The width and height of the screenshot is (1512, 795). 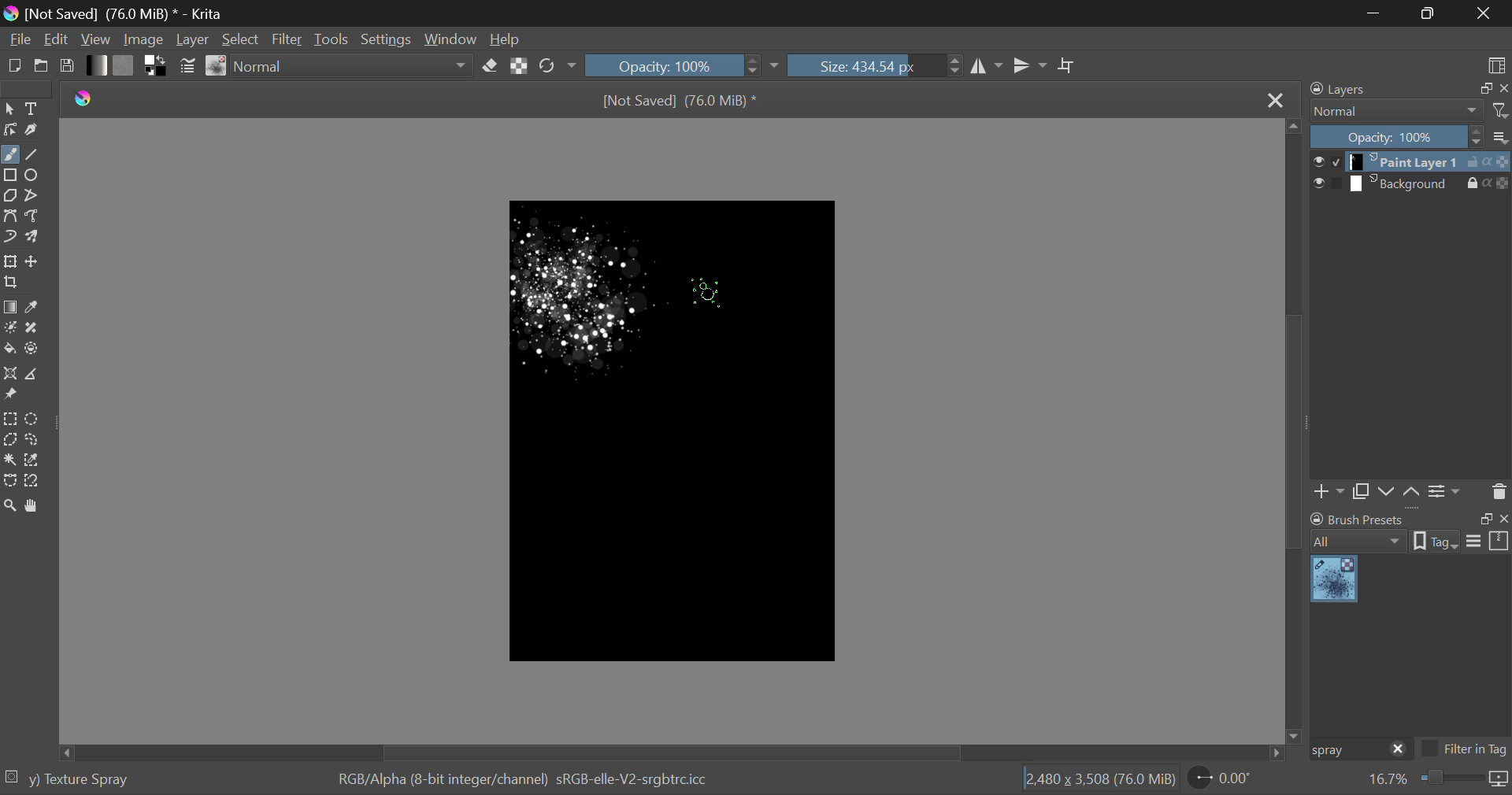 I want to click on close, so click(x=1503, y=89).